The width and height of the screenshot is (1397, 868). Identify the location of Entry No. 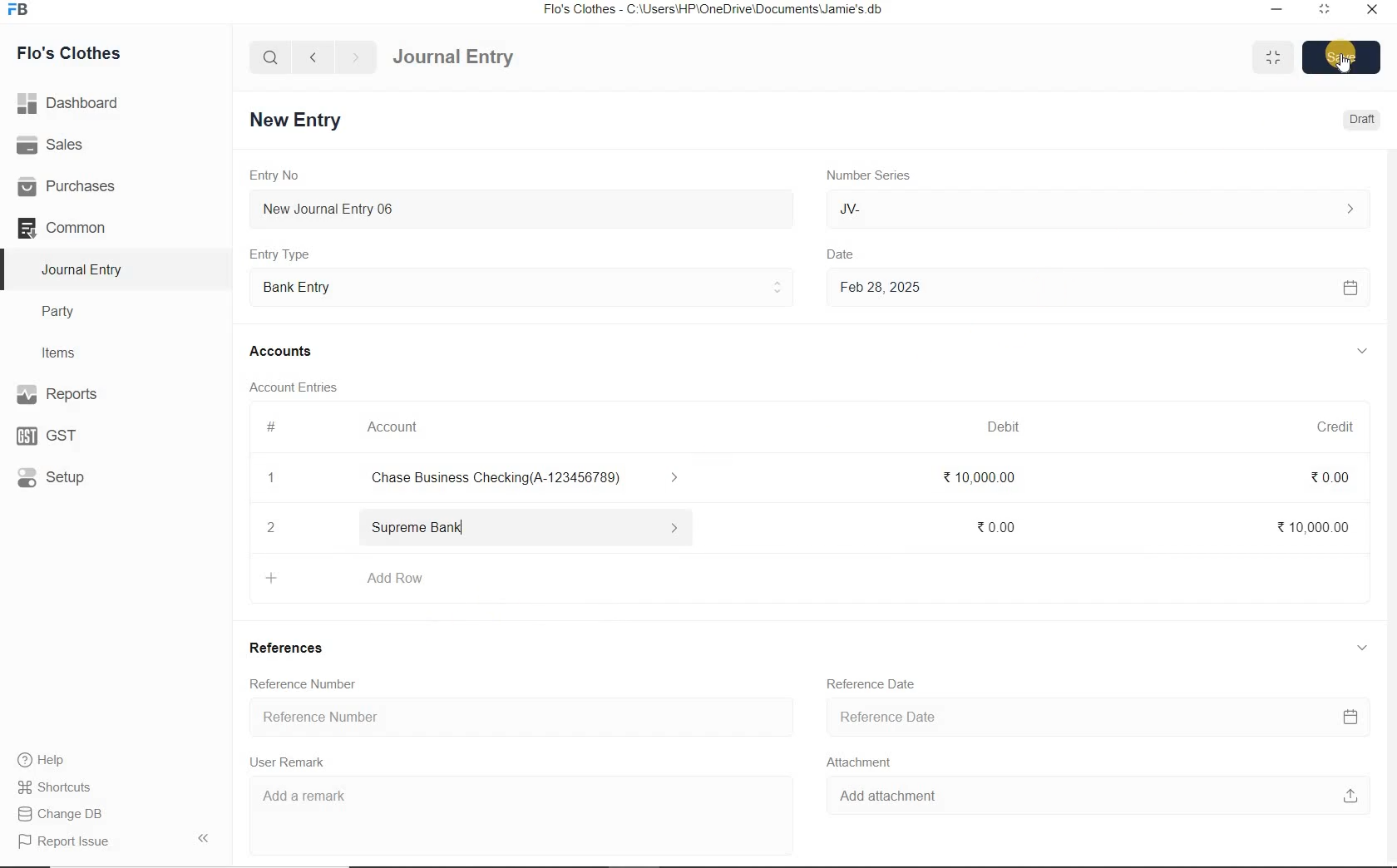
(277, 175).